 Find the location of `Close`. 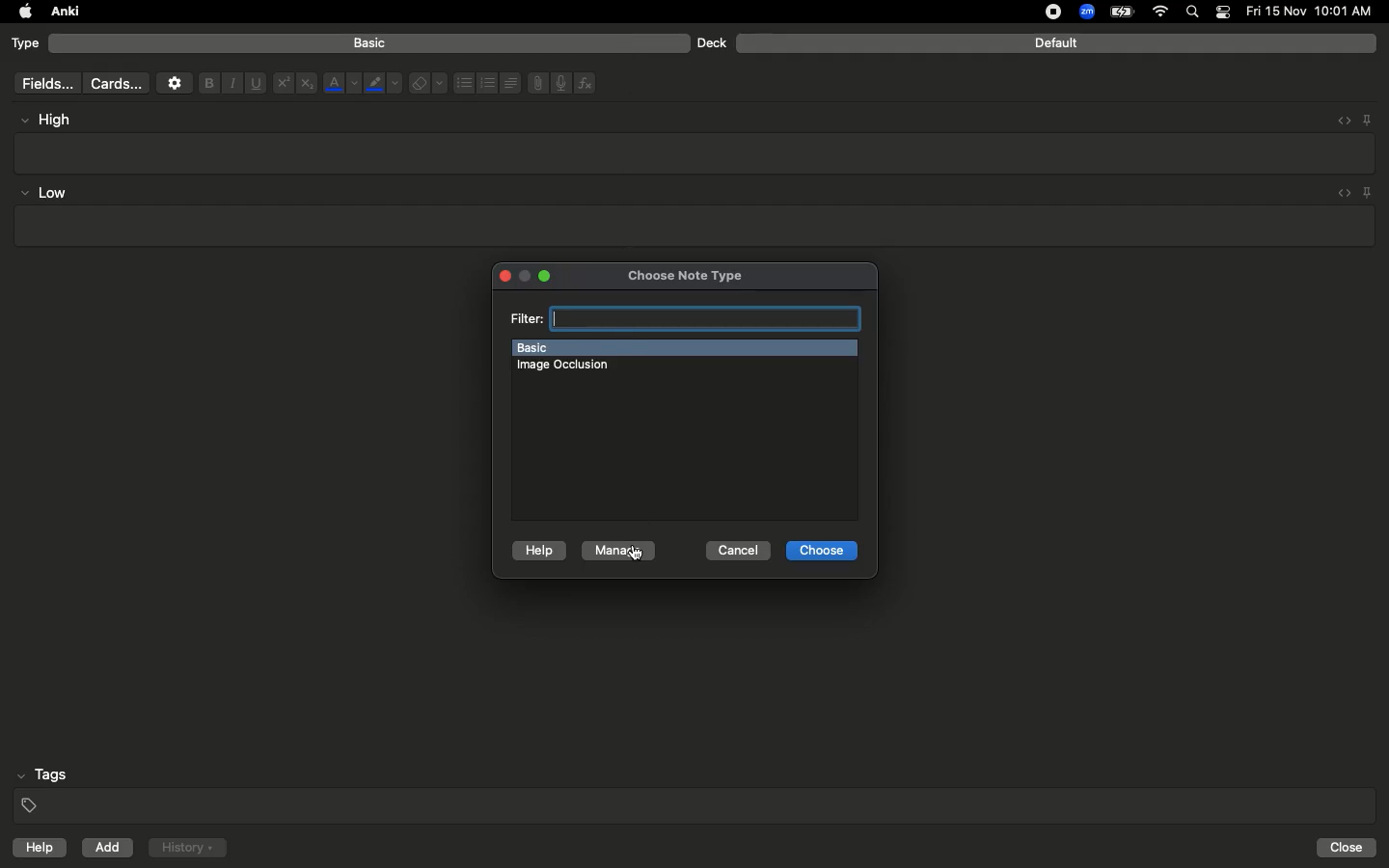

Close is located at coordinates (503, 275).